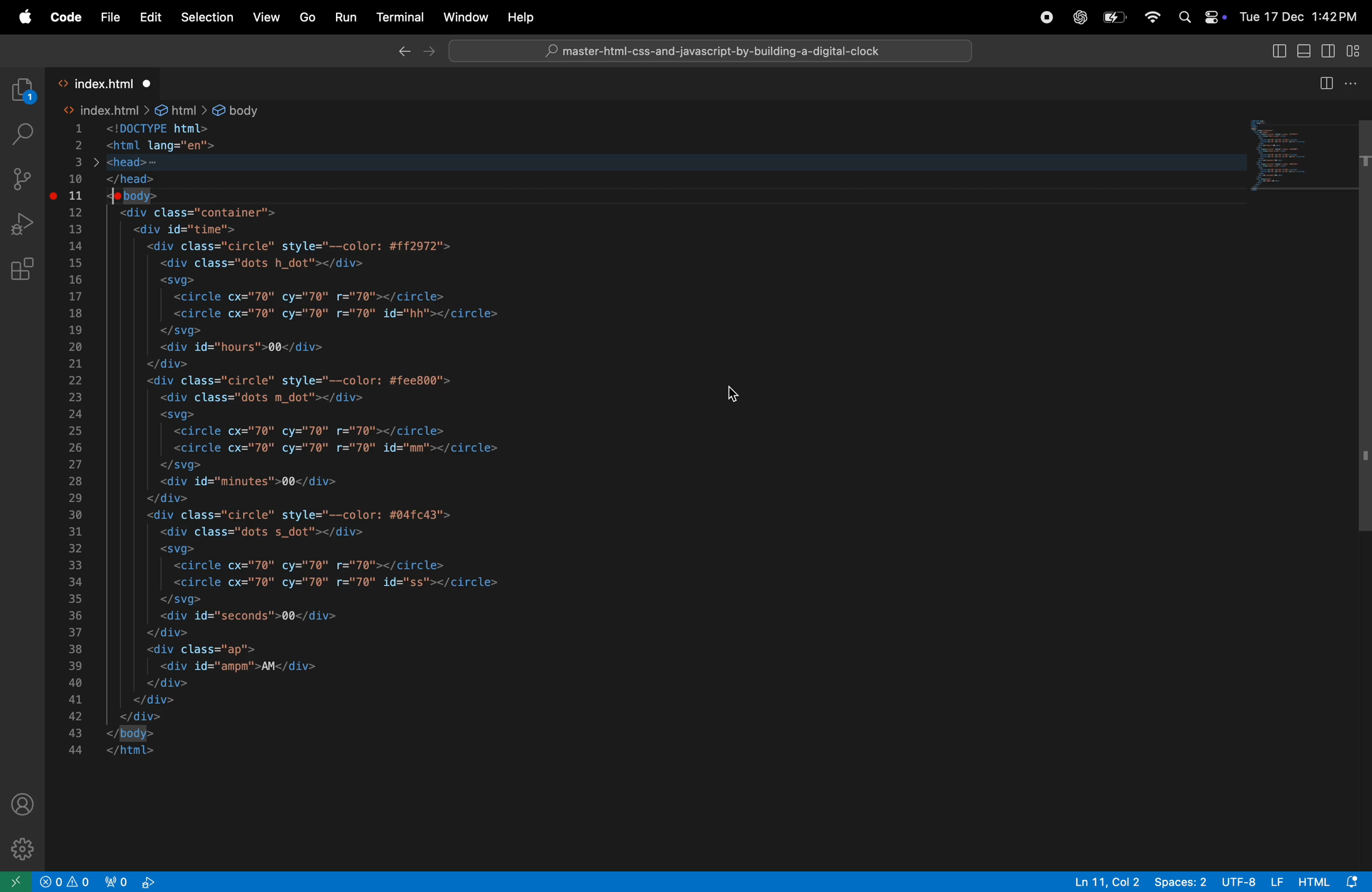  Describe the element at coordinates (1355, 82) in the screenshot. I see `options` at that location.